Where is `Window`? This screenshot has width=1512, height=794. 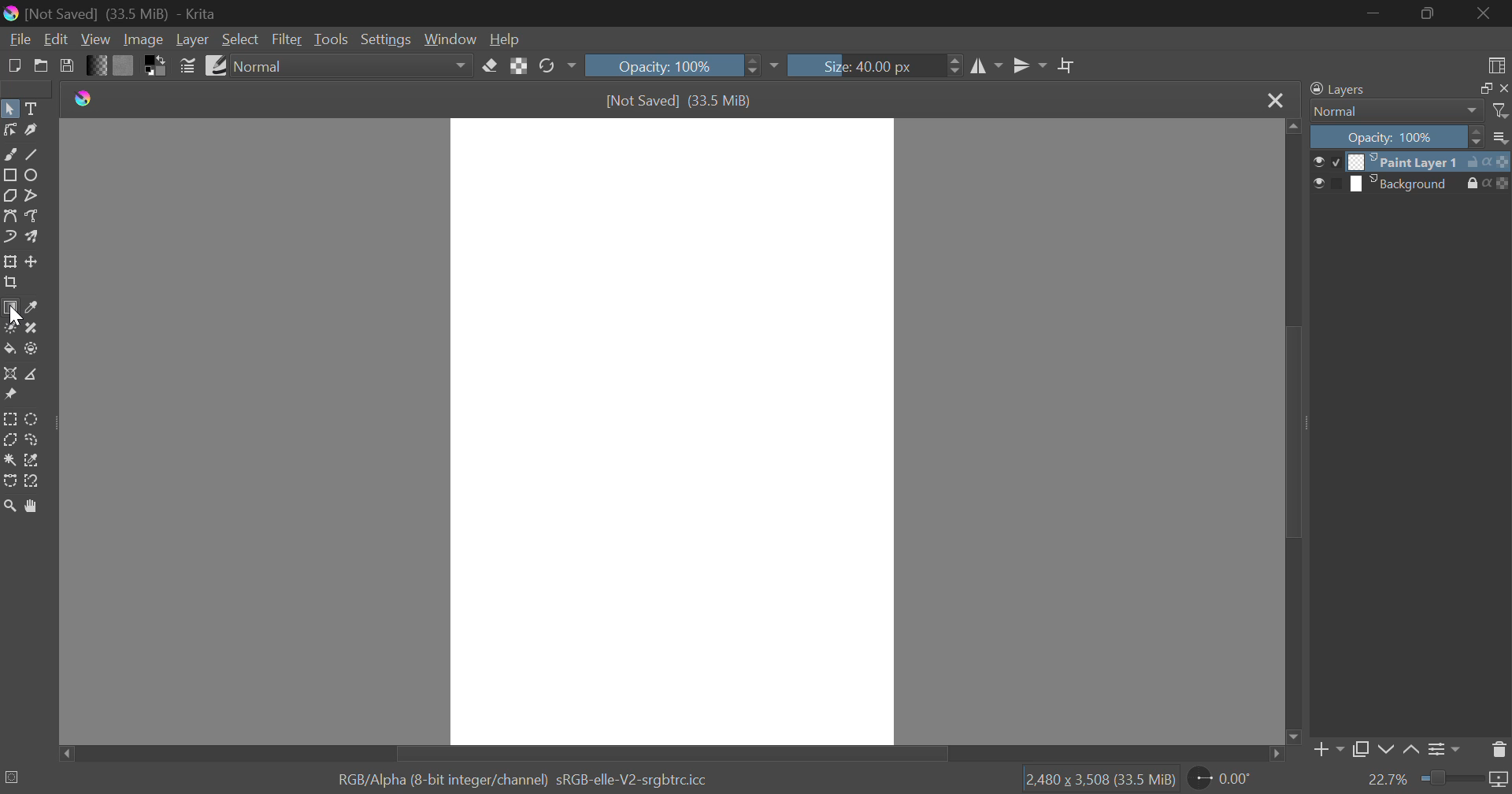 Window is located at coordinates (449, 39).